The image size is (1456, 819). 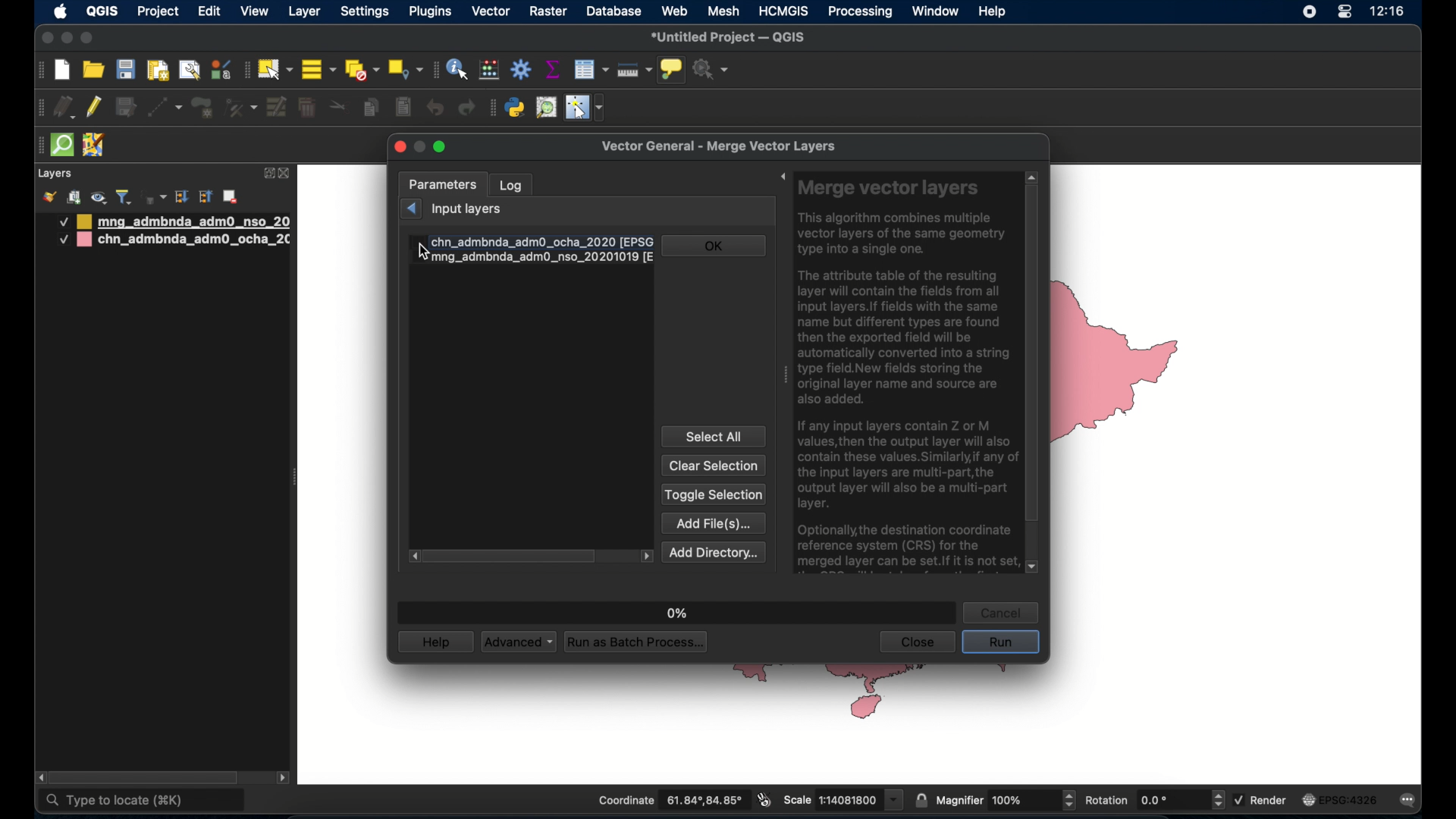 I want to click on collapse all , so click(x=206, y=199).